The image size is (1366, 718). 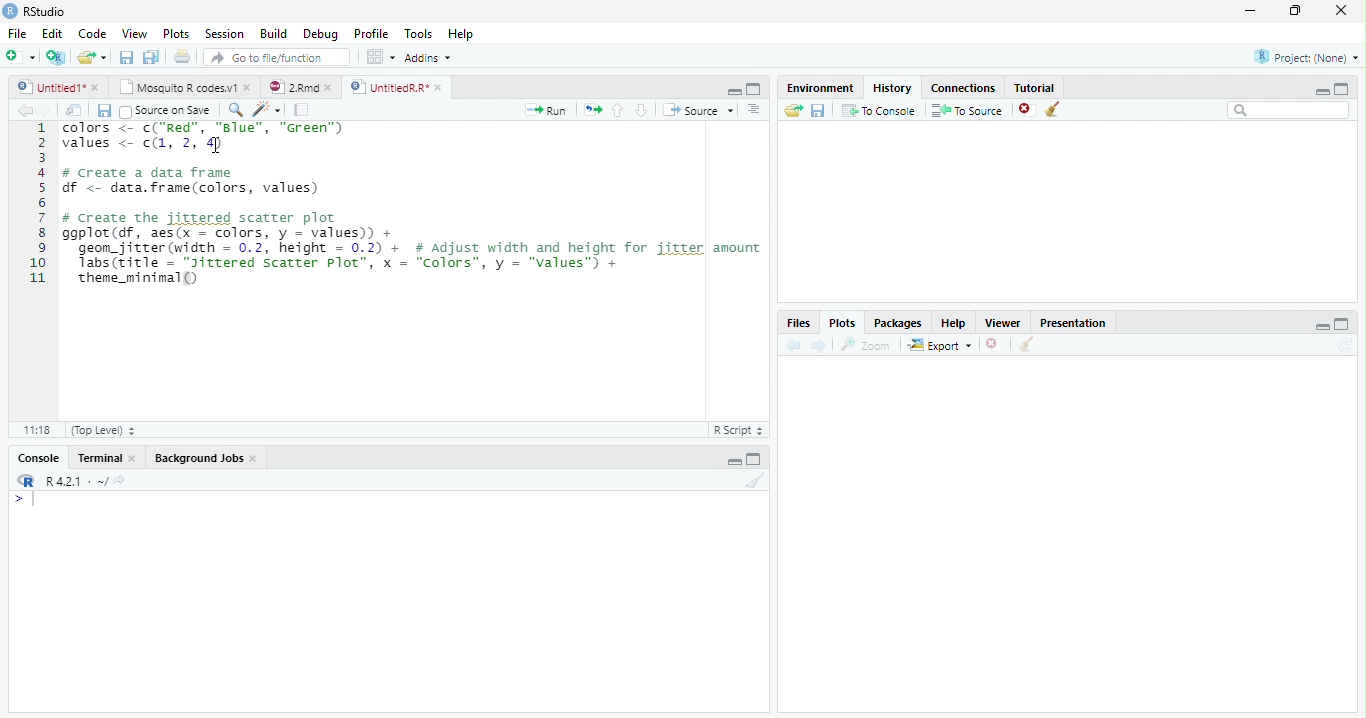 What do you see at coordinates (1251, 10) in the screenshot?
I see `minimize` at bounding box center [1251, 10].